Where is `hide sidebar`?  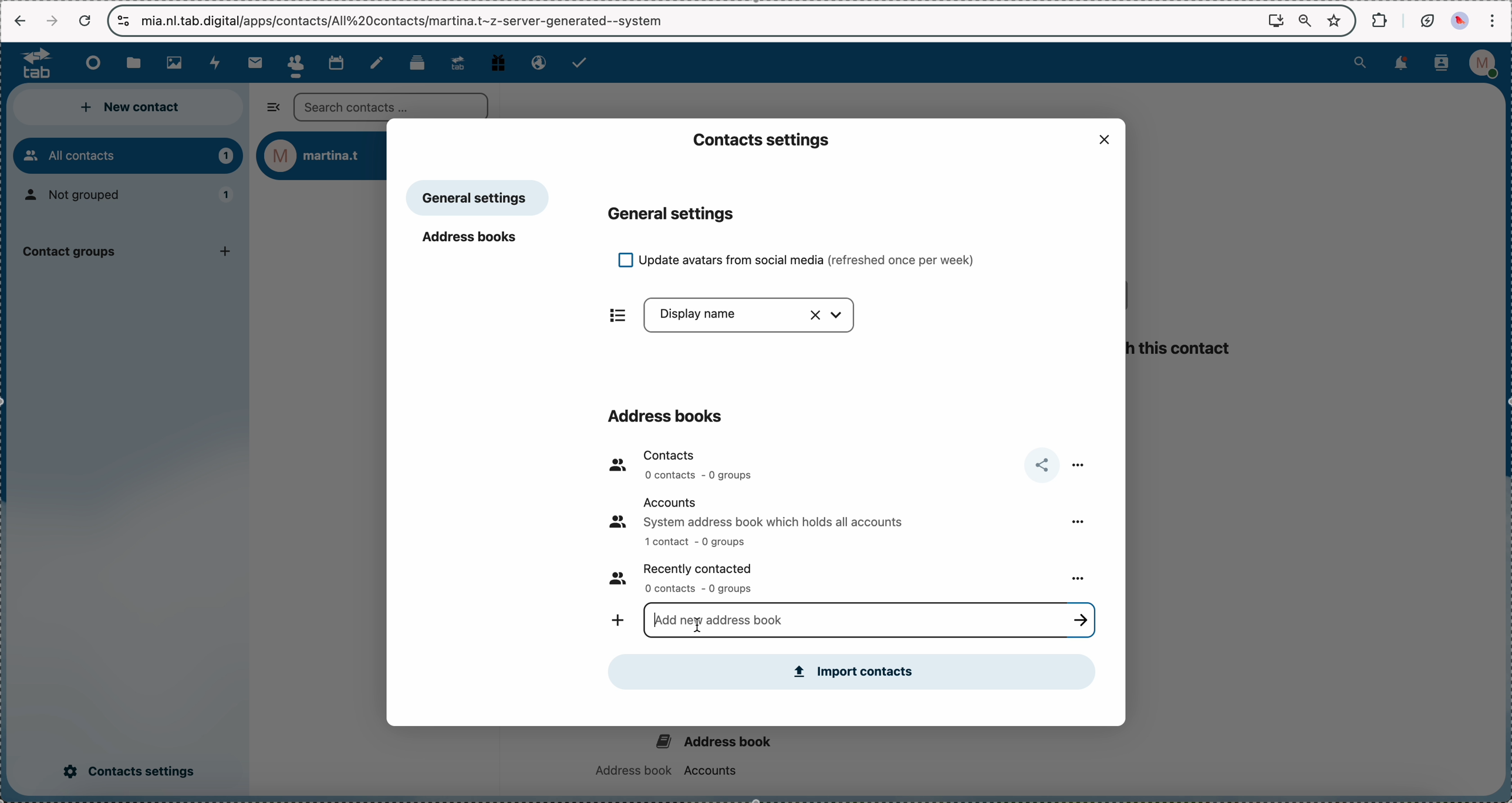 hide sidebar is located at coordinates (270, 110).